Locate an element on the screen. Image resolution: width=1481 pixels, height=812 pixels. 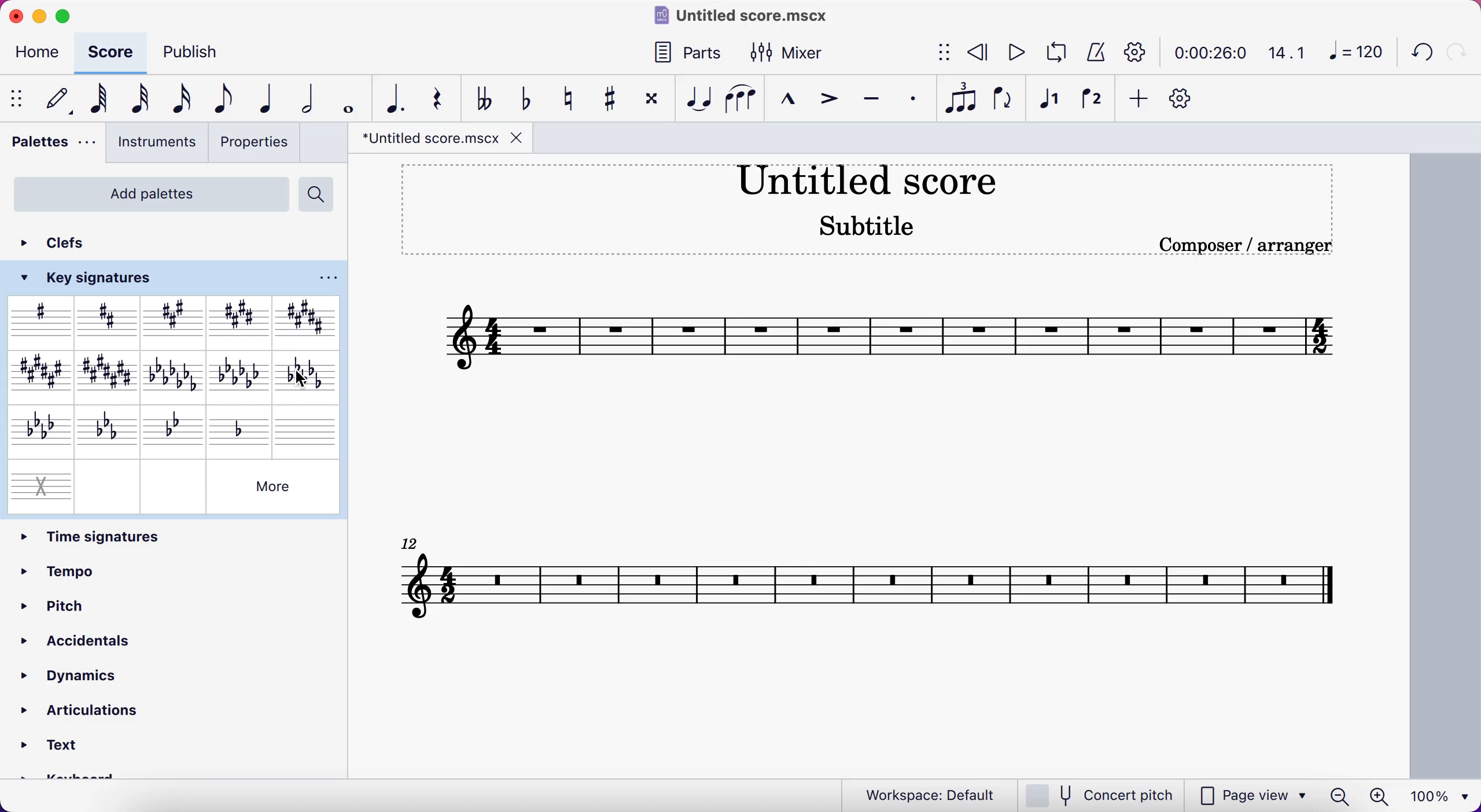
empty is located at coordinates (109, 485).